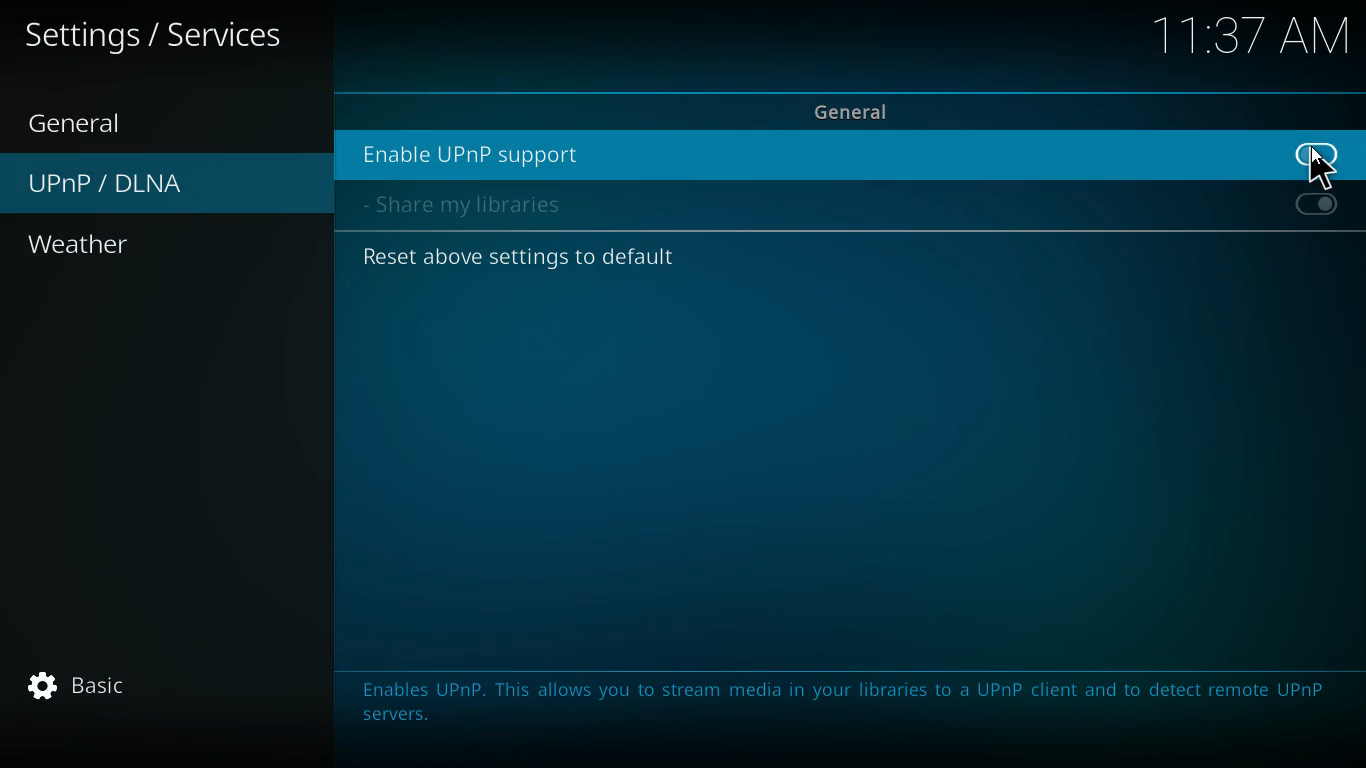  I want to click on weather, so click(125, 246).